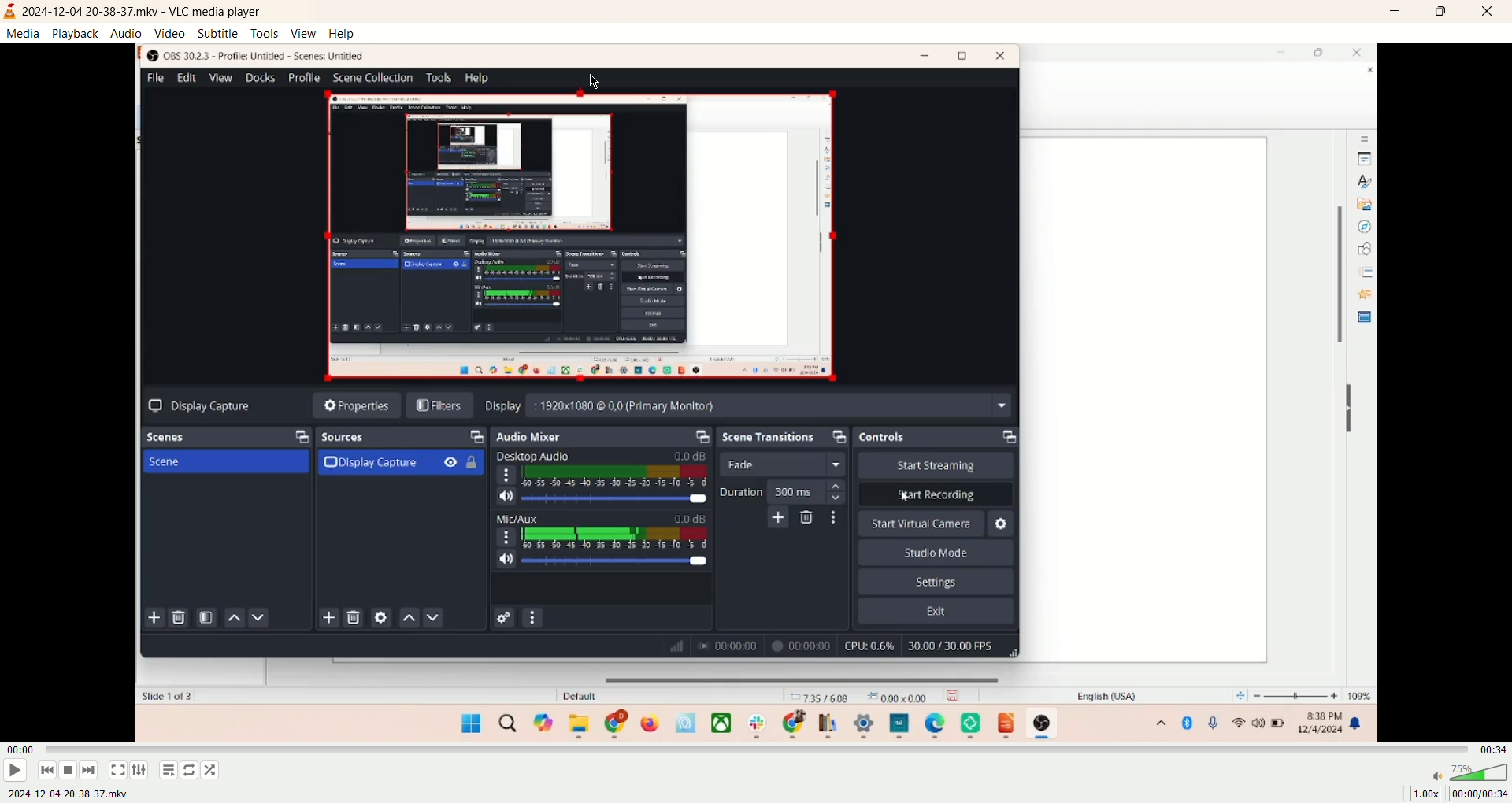 The height and width of the screenshot is (803, 1512). Describe the element at coordinates (67, 795) in the screenshot. I see `date` at that location.